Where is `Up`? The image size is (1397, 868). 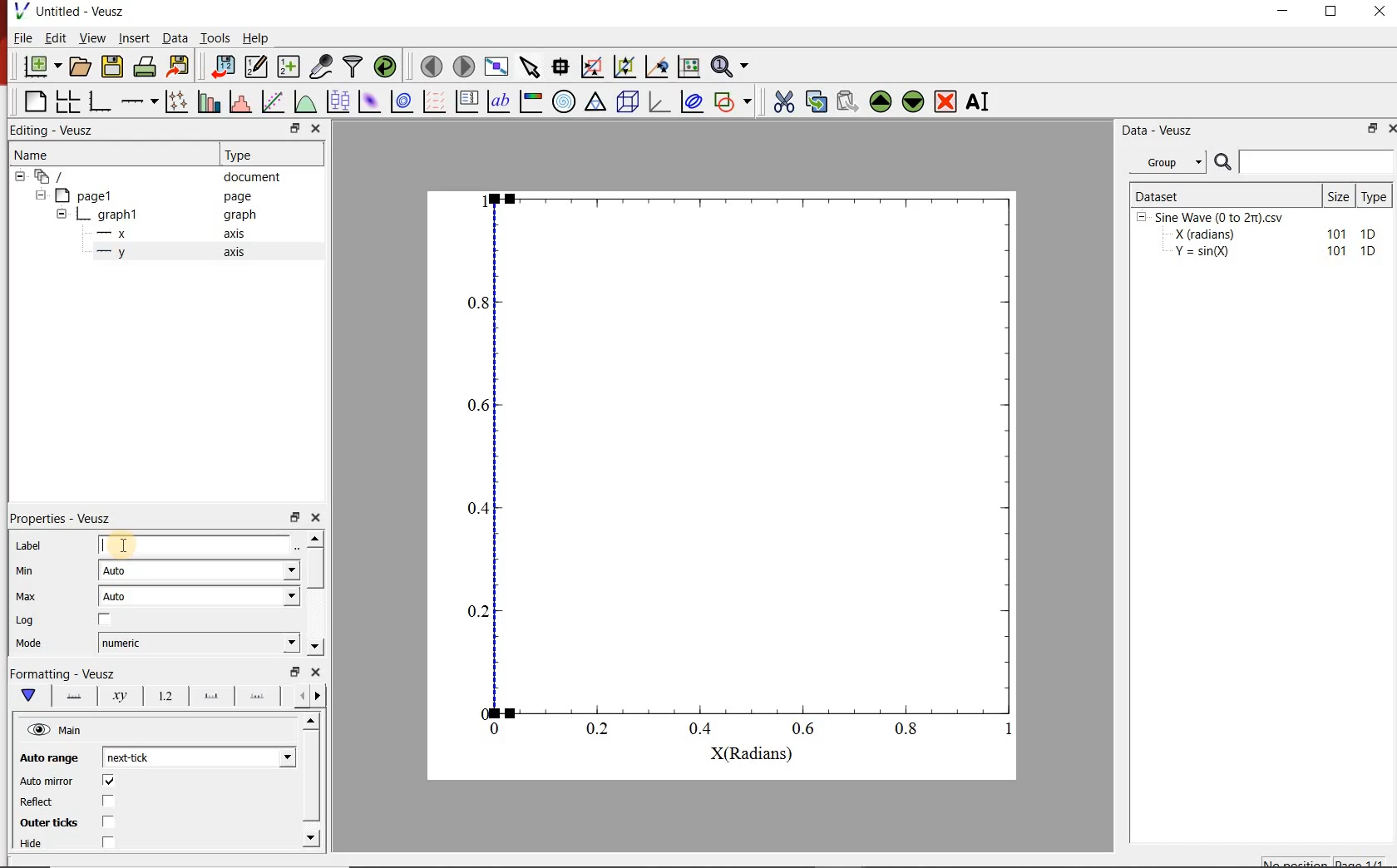 Up is located at coordinates (310, 722).